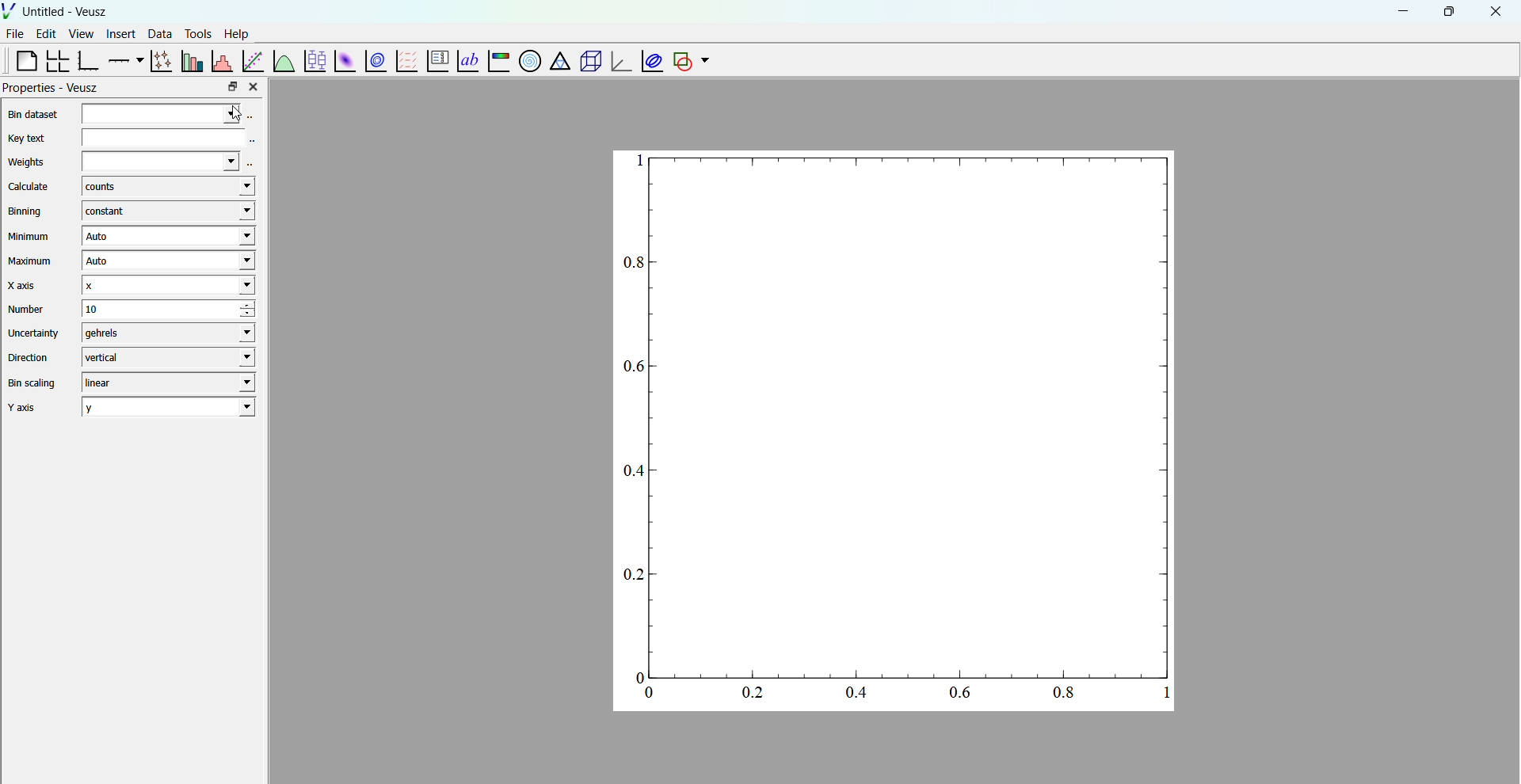  What do you see at coordinates (32, 383) in the screenshot?
I see `Bin scaling` at bounding box center [32, 383].